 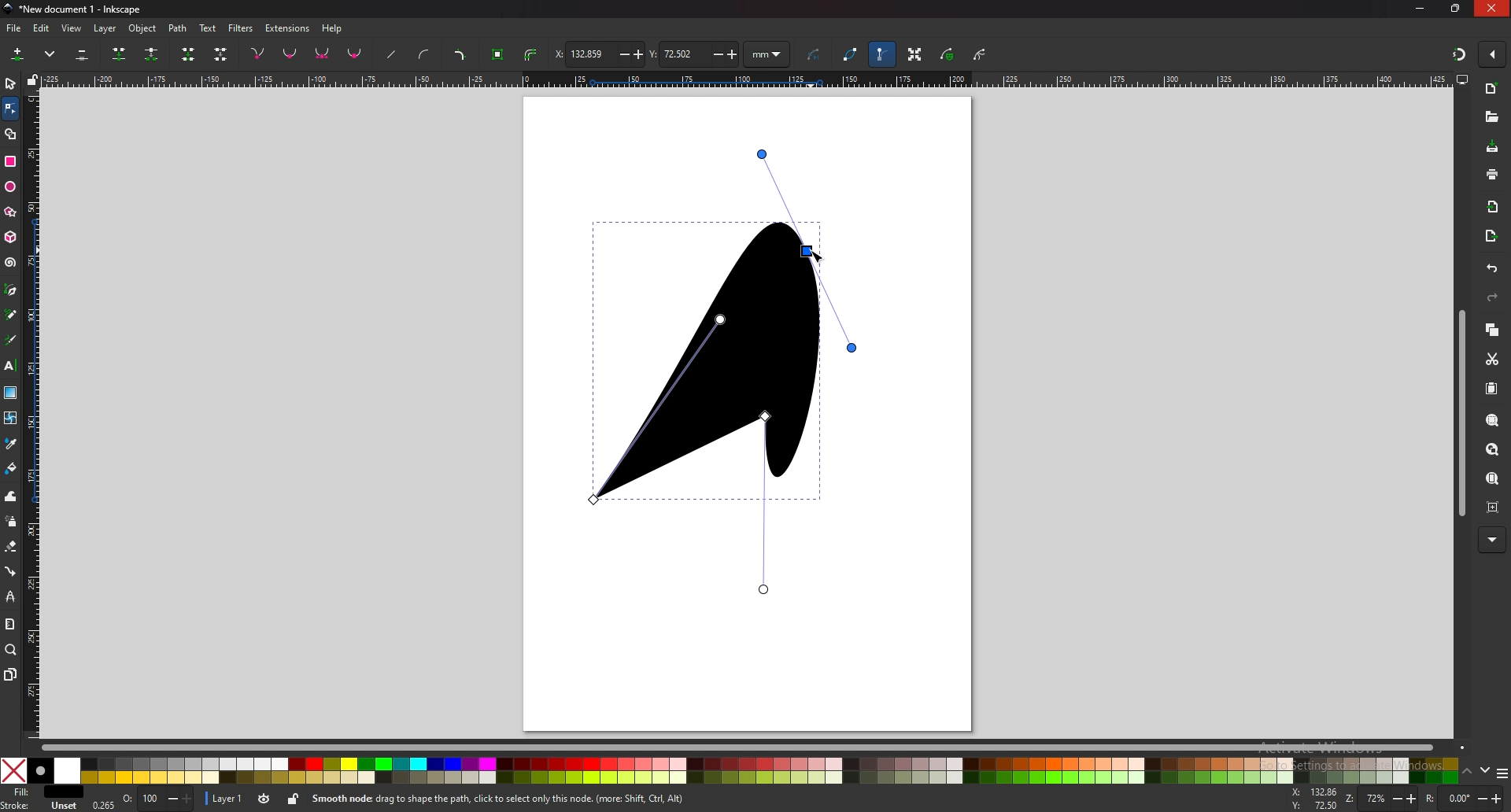 I want to click on rectangle, so click(x=10, y=161).